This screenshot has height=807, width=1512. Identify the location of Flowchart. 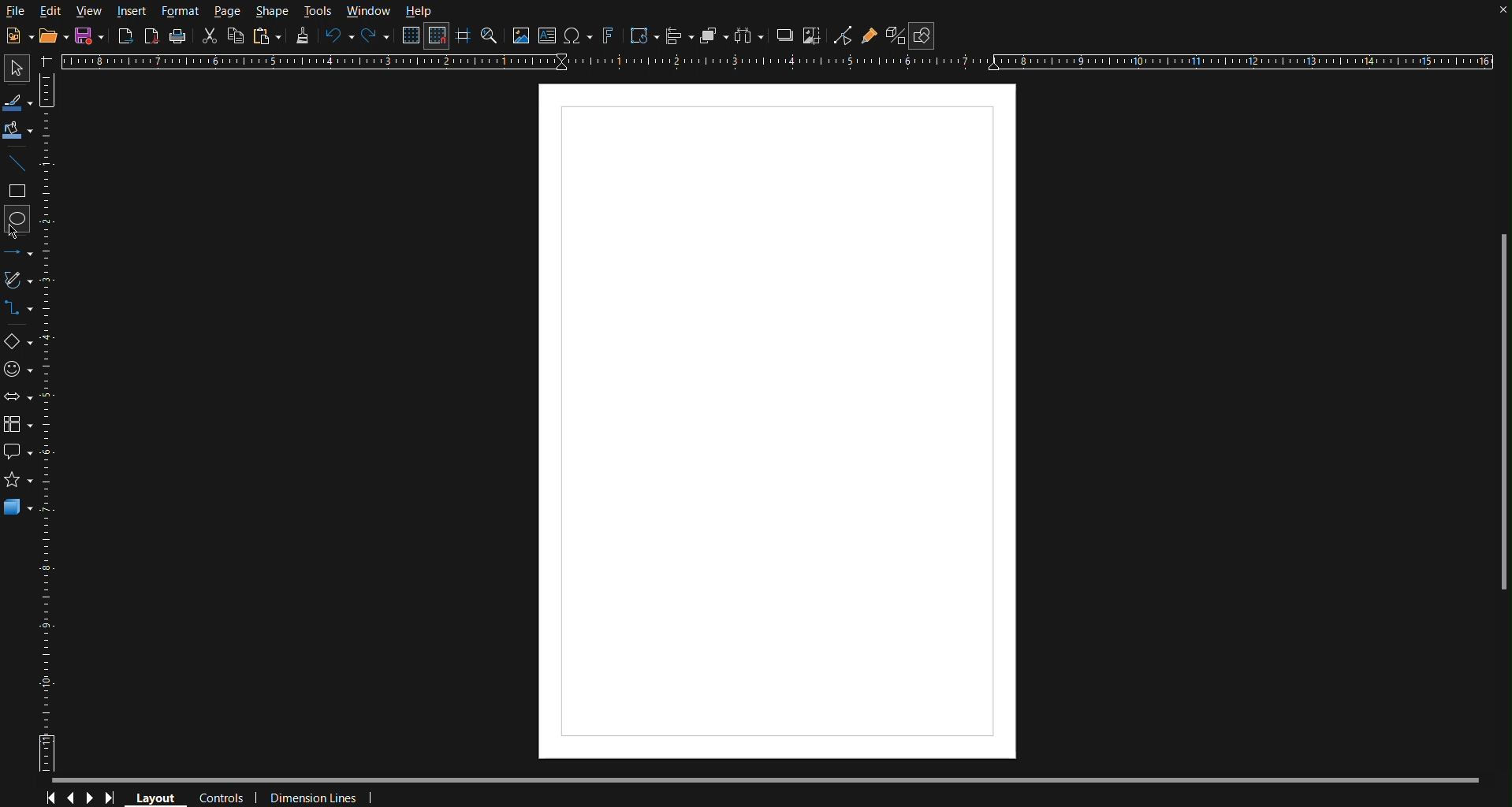
(18, 426).